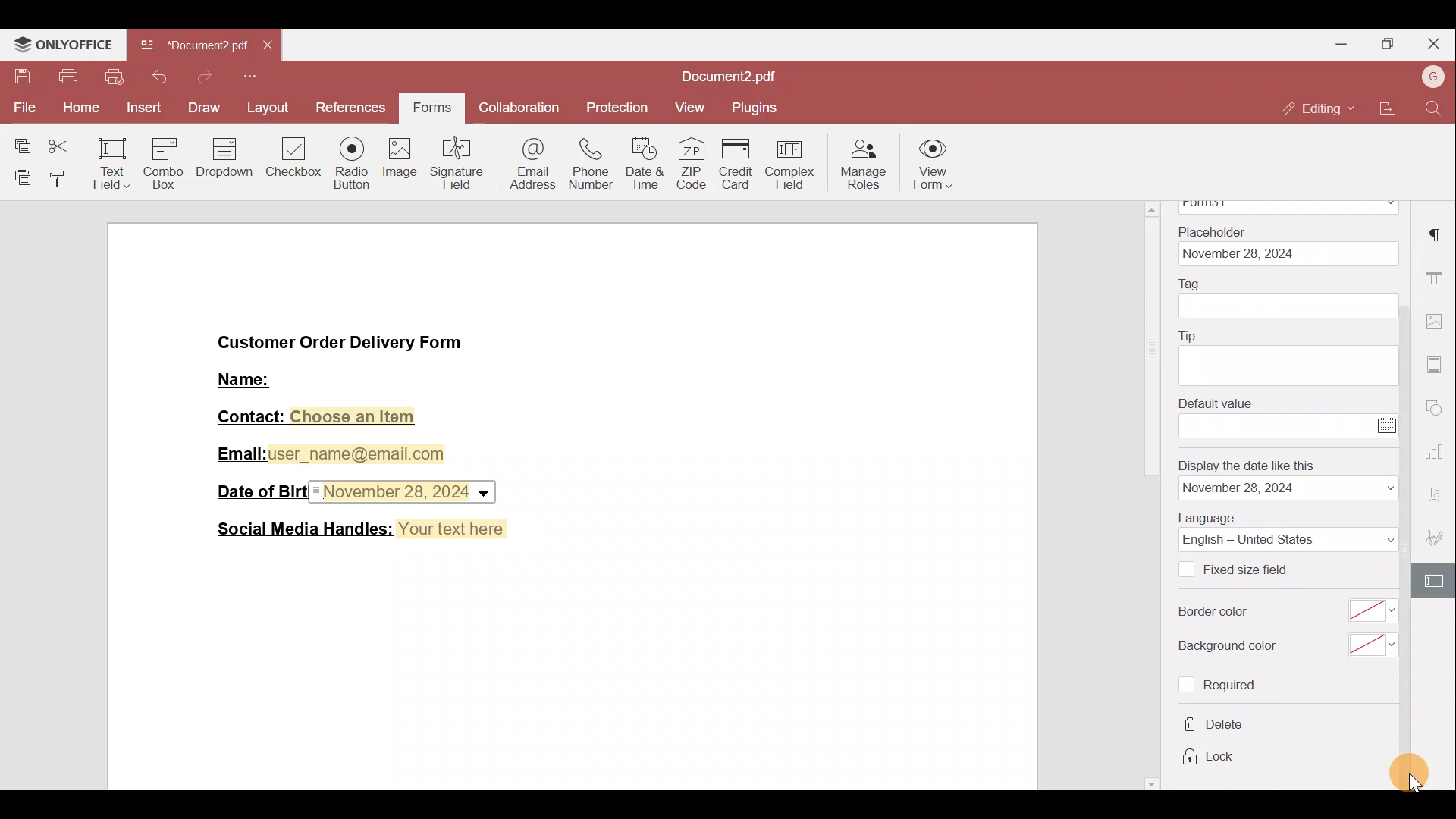 This screenshot has width=1456, height=819. What do you see at coordinates (113, 76) in the screenshot?
I see `Quick print` at bounding box center [113, 76].